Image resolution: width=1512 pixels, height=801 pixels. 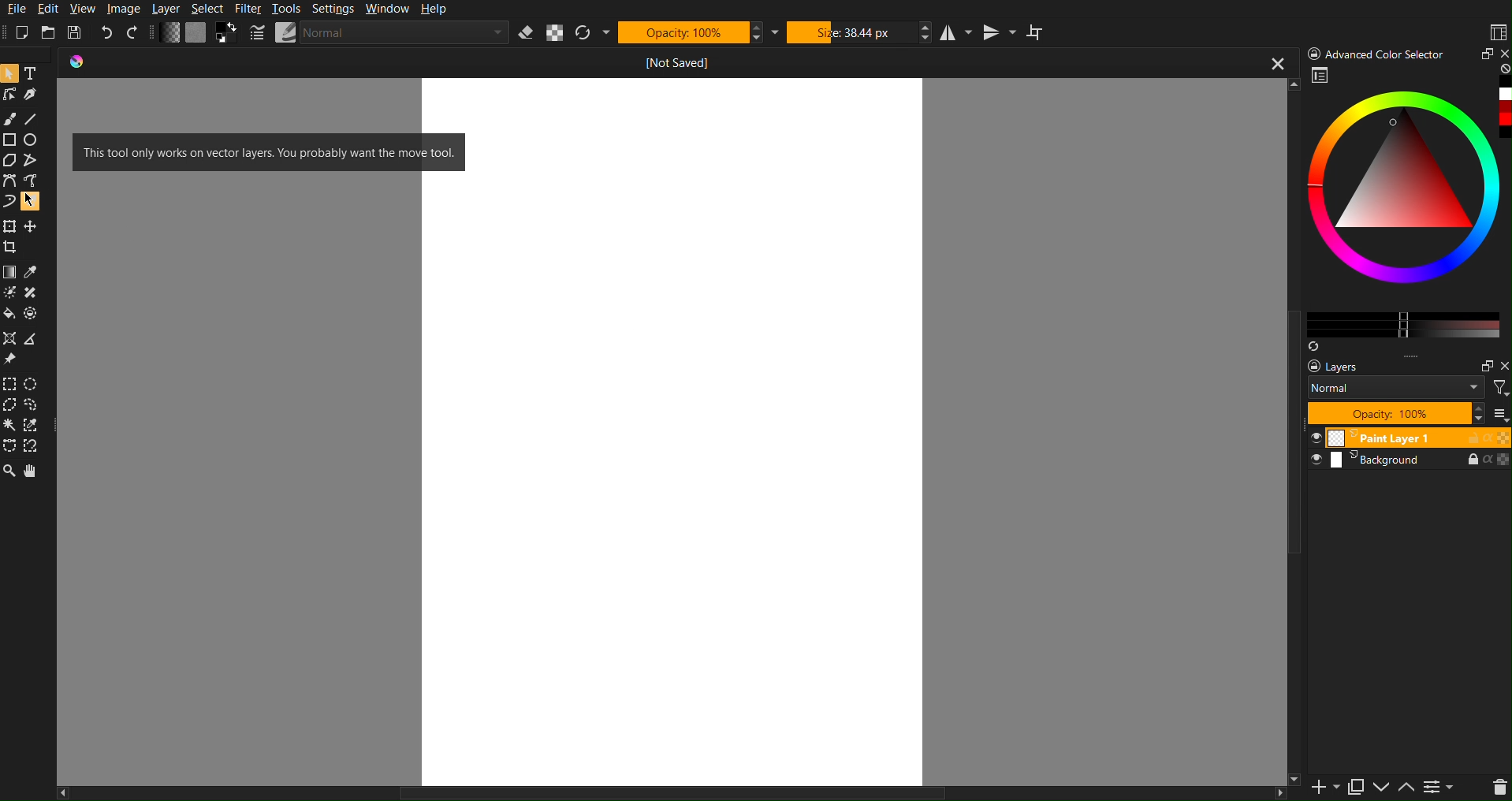 I want to click on none, so click(x=1503, y=69).